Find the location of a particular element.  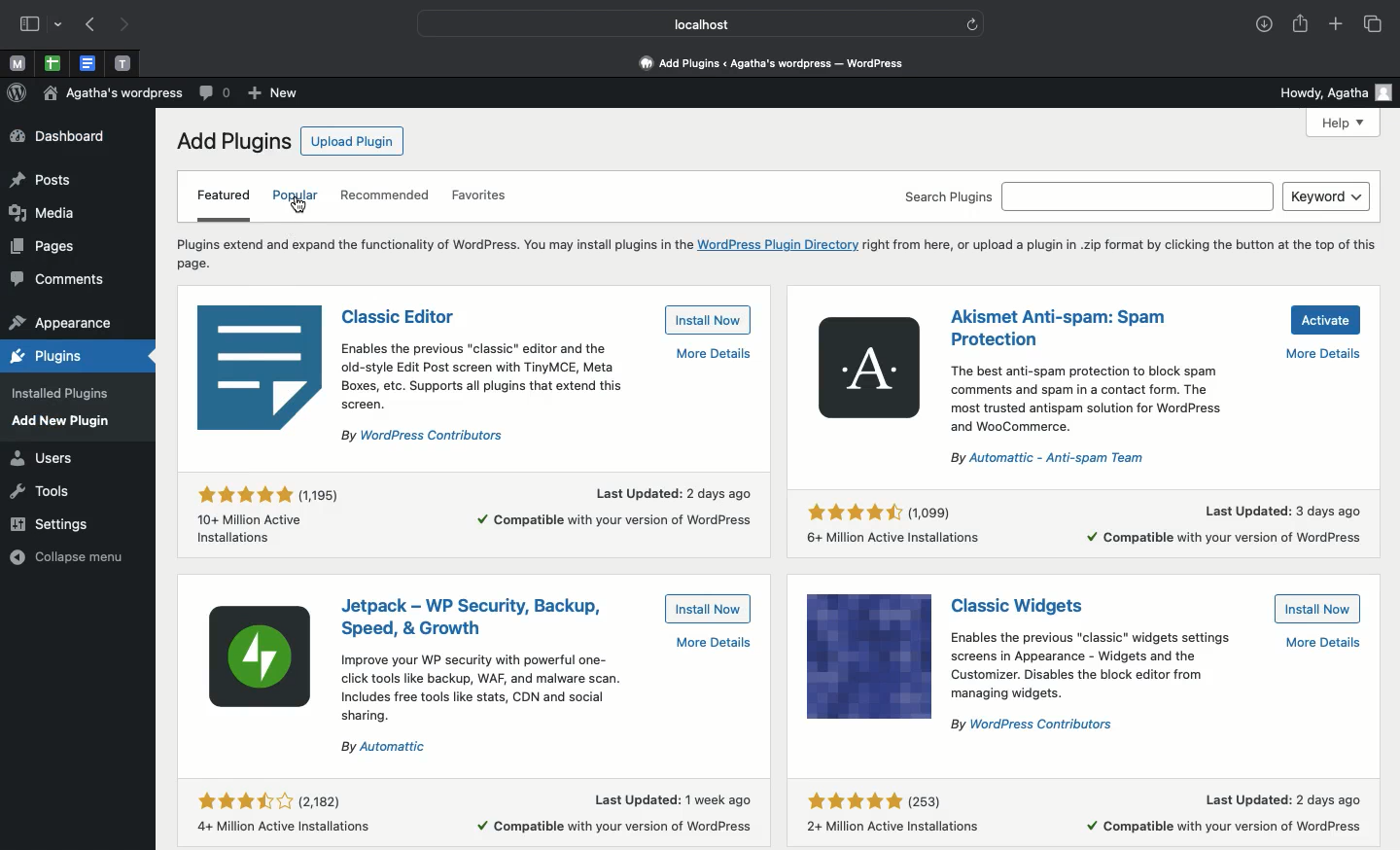

Featured is located at coordinates (227, 196).